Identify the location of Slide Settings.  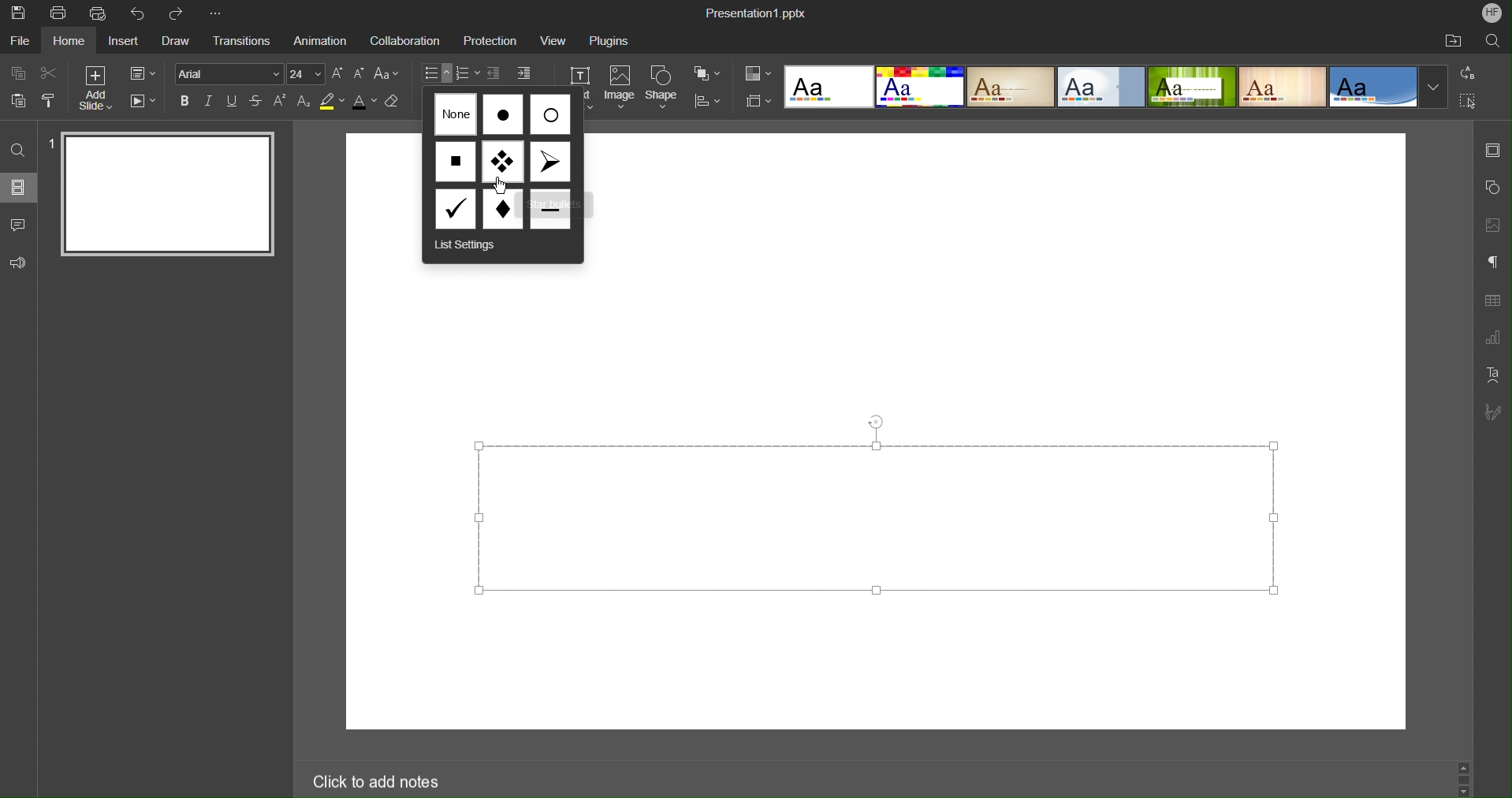
(143, 73).